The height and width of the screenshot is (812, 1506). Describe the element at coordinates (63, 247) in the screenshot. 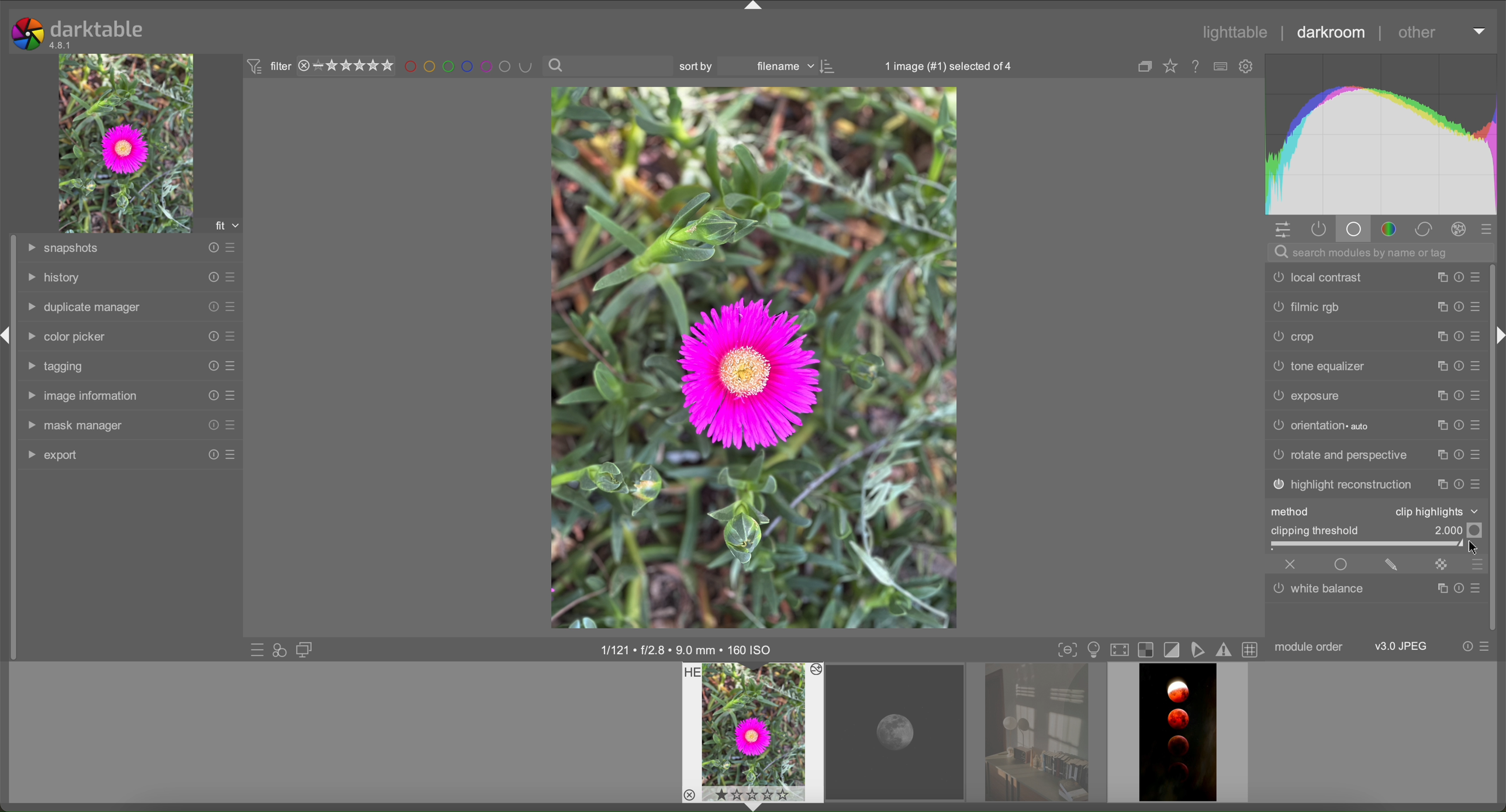

I see `snapshots tab` at that location.